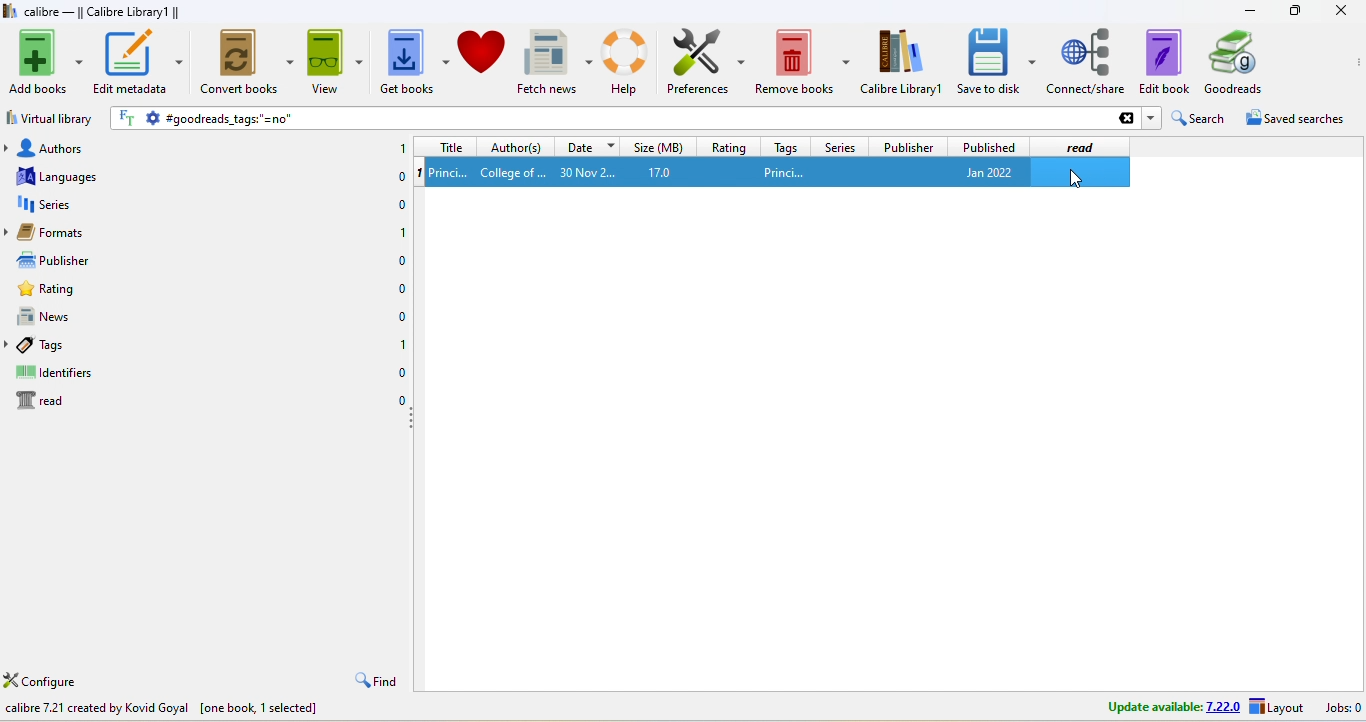 The image size is (1366, 722). What do you see at coordinates (248, 63) in the screenshot?
I see `convert books` at bounding box center [248, 63].